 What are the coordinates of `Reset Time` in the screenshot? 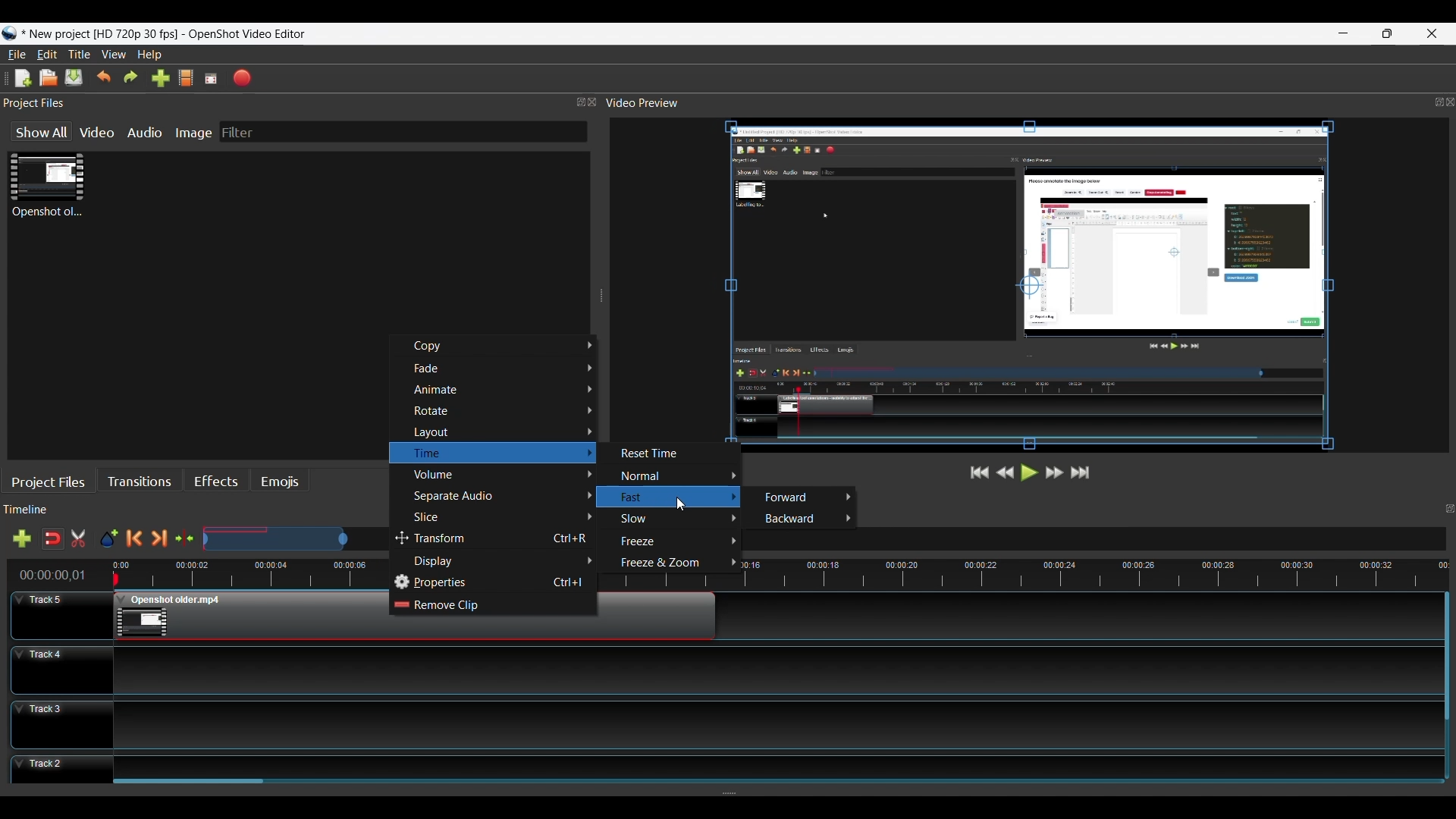 It's located at (657, 454).